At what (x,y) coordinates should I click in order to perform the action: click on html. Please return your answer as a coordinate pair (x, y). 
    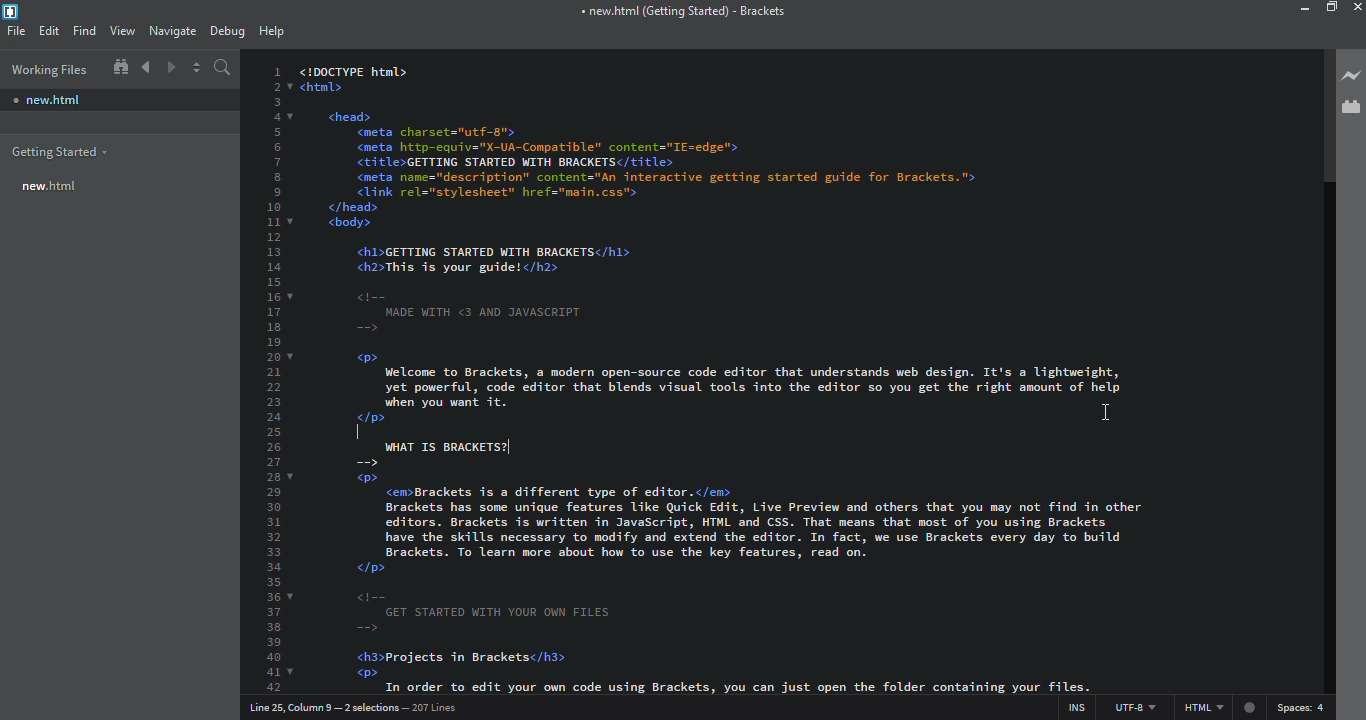
    Looking at the image, I should click on (1219, 708).